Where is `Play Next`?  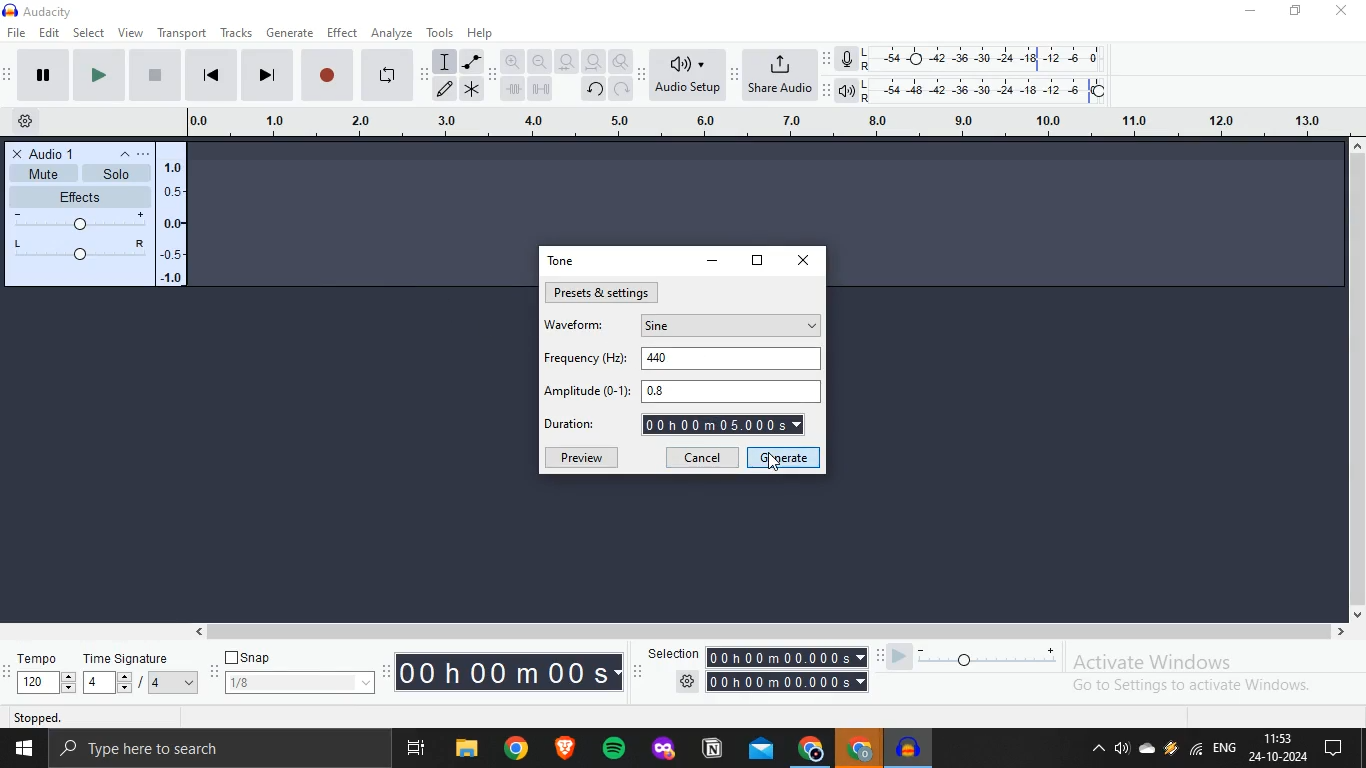
Play Next is located at coordinates (266, 74).